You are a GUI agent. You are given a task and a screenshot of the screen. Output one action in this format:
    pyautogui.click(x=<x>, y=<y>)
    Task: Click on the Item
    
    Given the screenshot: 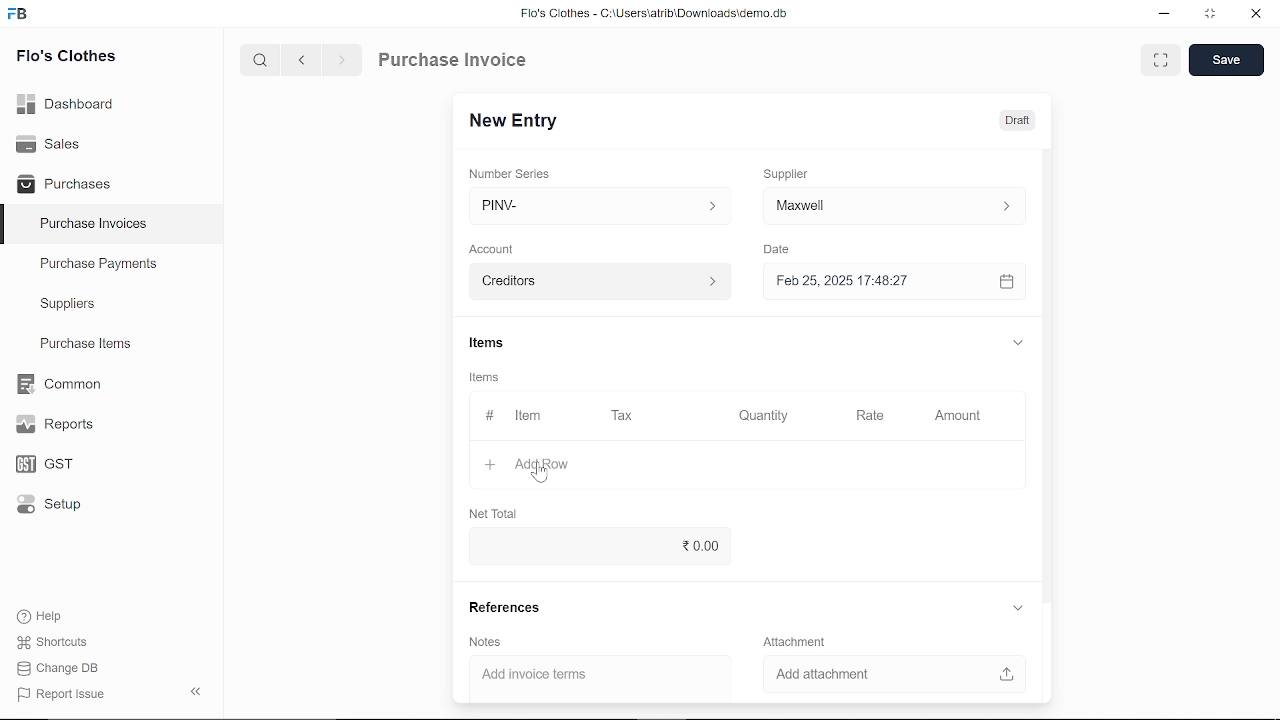 What is the action you would take?
    pyautogui.click(x=514, y=416)
    